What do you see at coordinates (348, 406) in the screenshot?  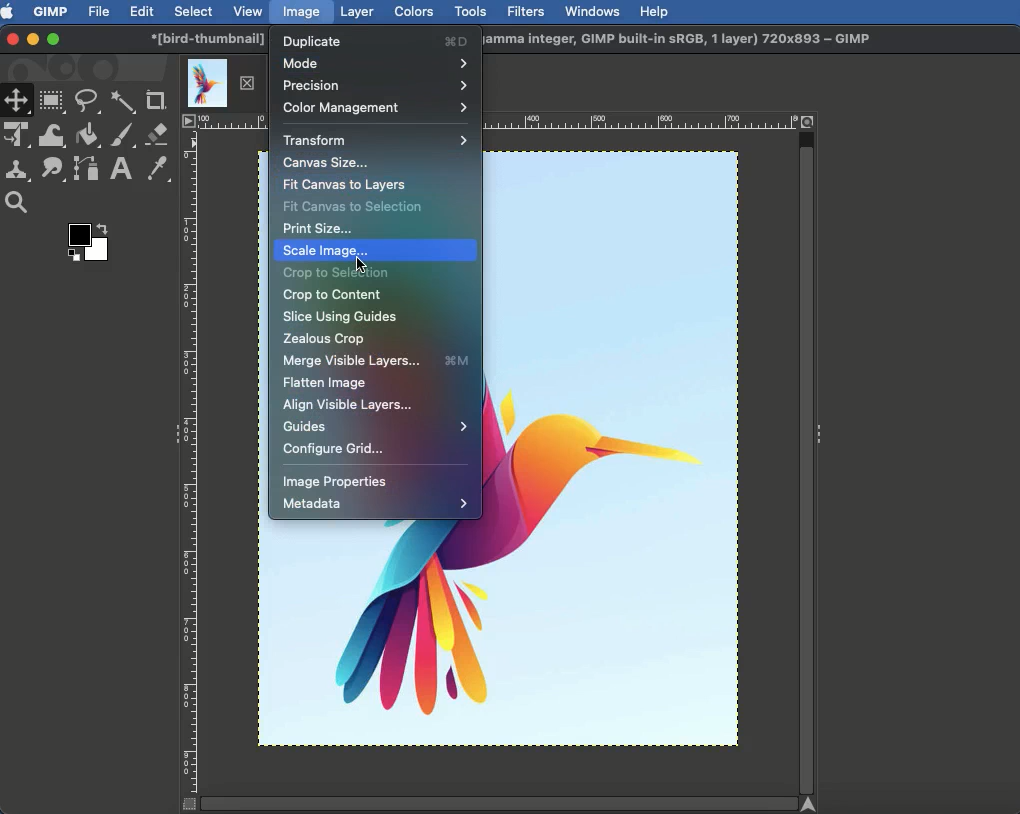 I see `Align visible layers` at bounding box center [348, 406].